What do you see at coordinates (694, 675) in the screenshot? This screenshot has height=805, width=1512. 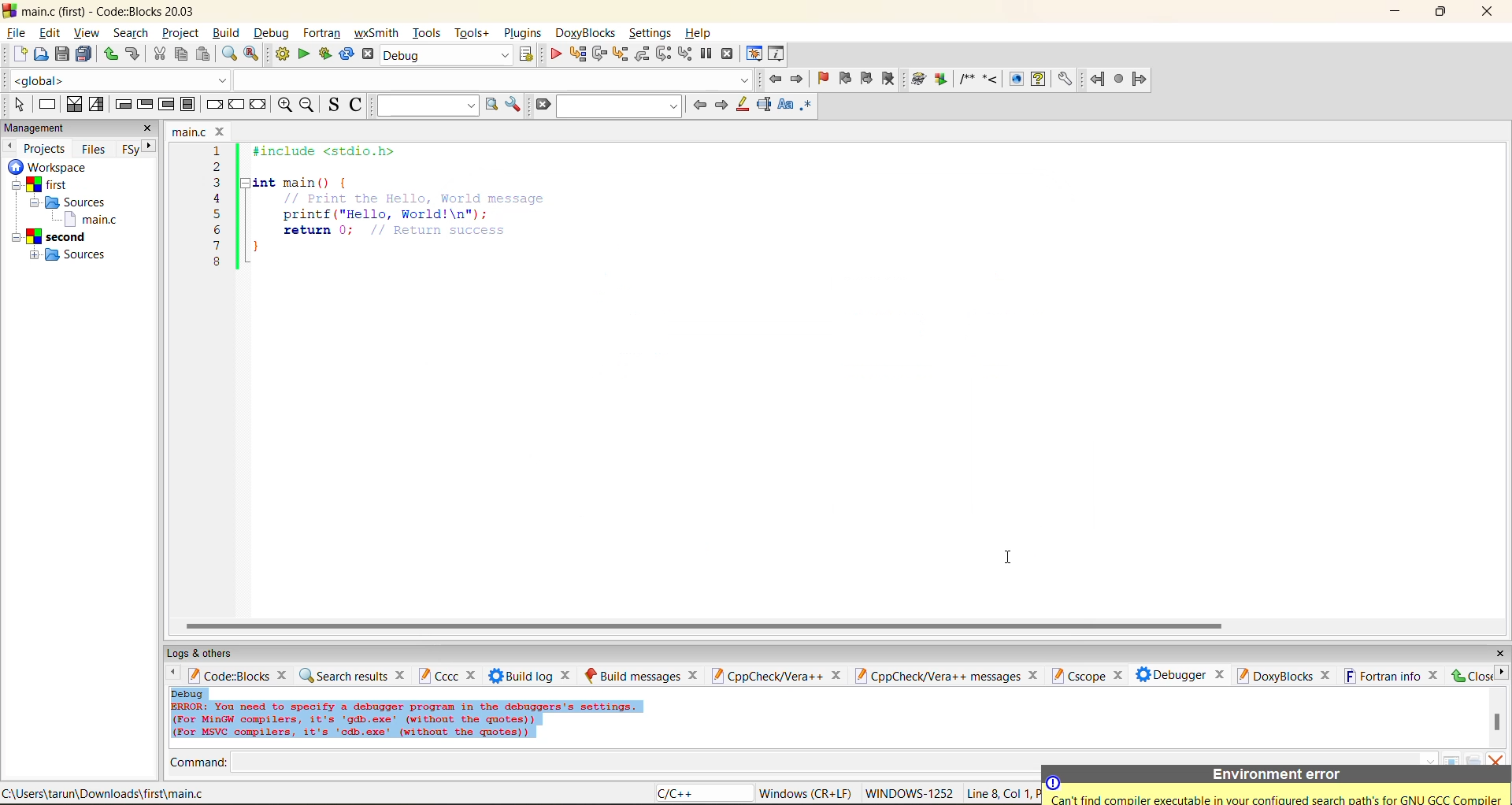 I see `close` at bounding box center [694, 675].